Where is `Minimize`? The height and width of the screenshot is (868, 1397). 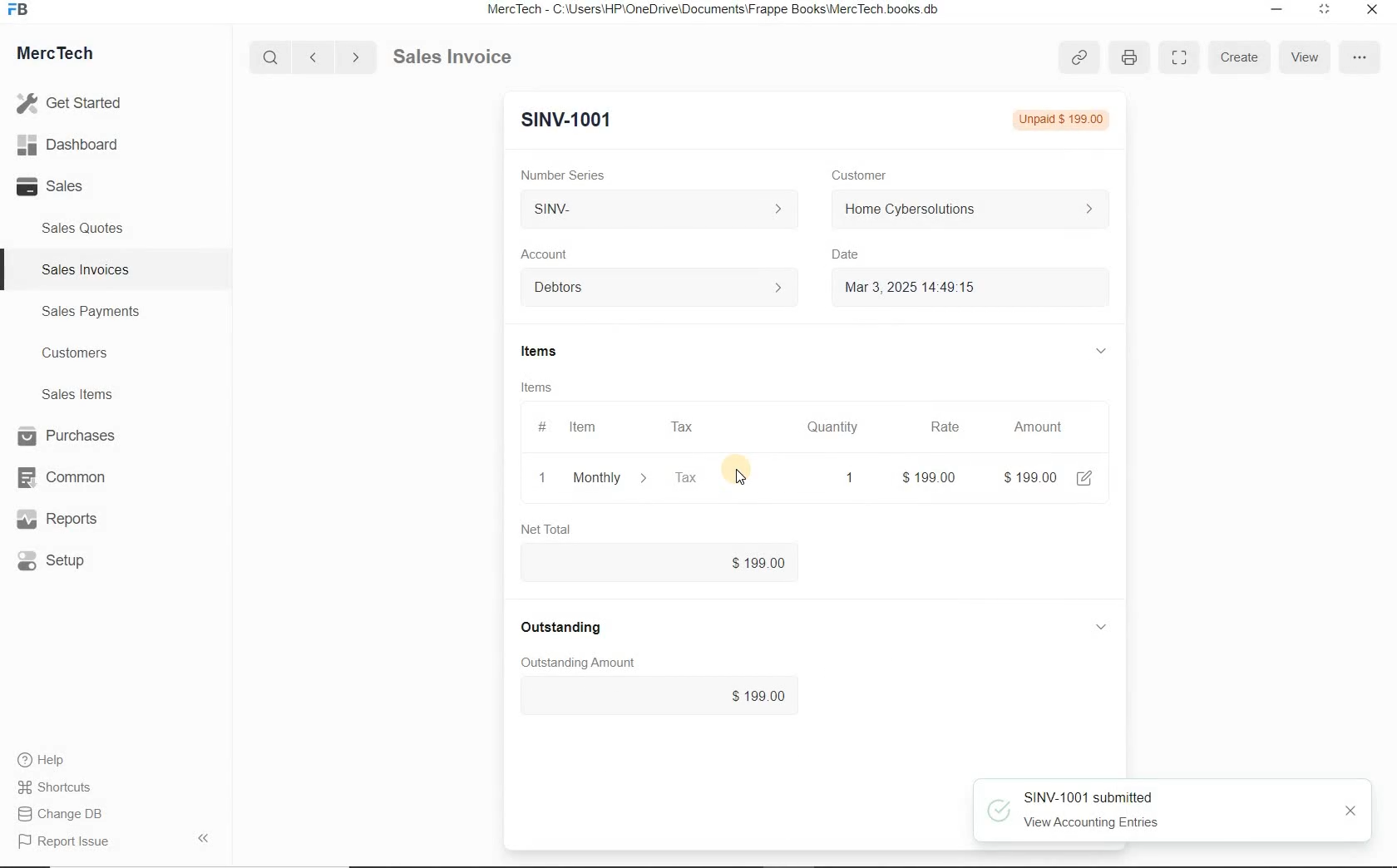 Minimize is located at coordinates (1276, 12).